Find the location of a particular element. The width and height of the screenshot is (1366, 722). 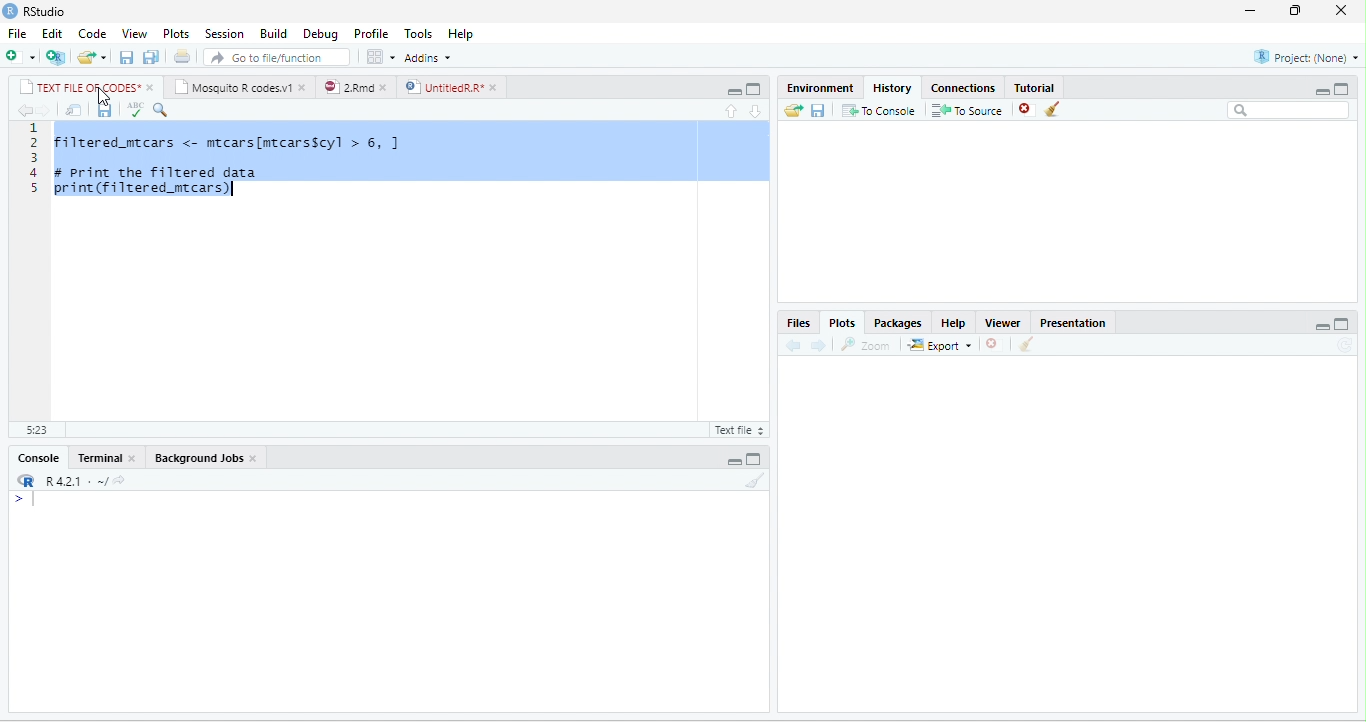

refresh is located at coordinates (1345, 345).